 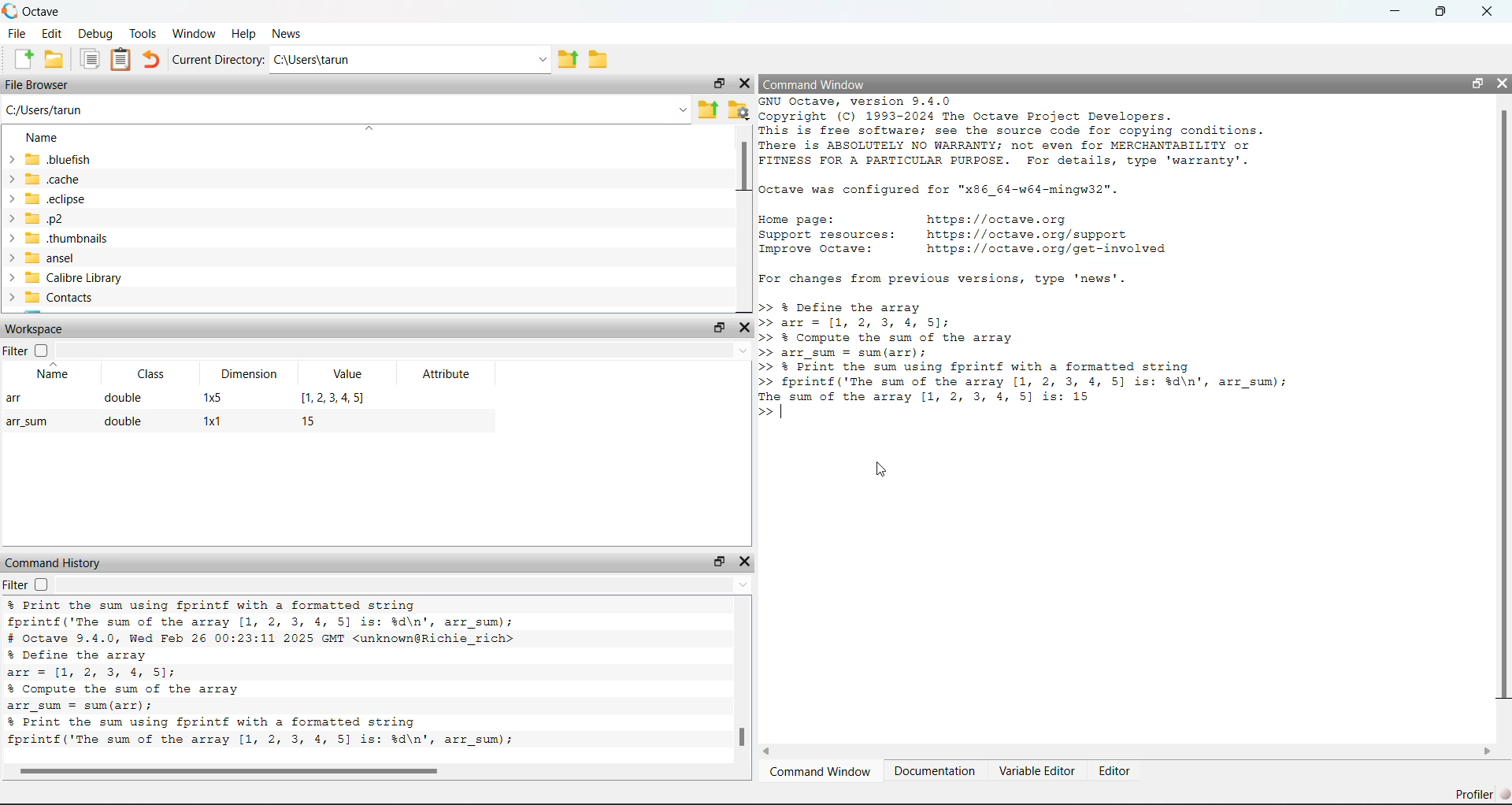 What do you see at coordinates (746, 562) in the screenshot?
I see `Close` at bounding box center [746, 562].